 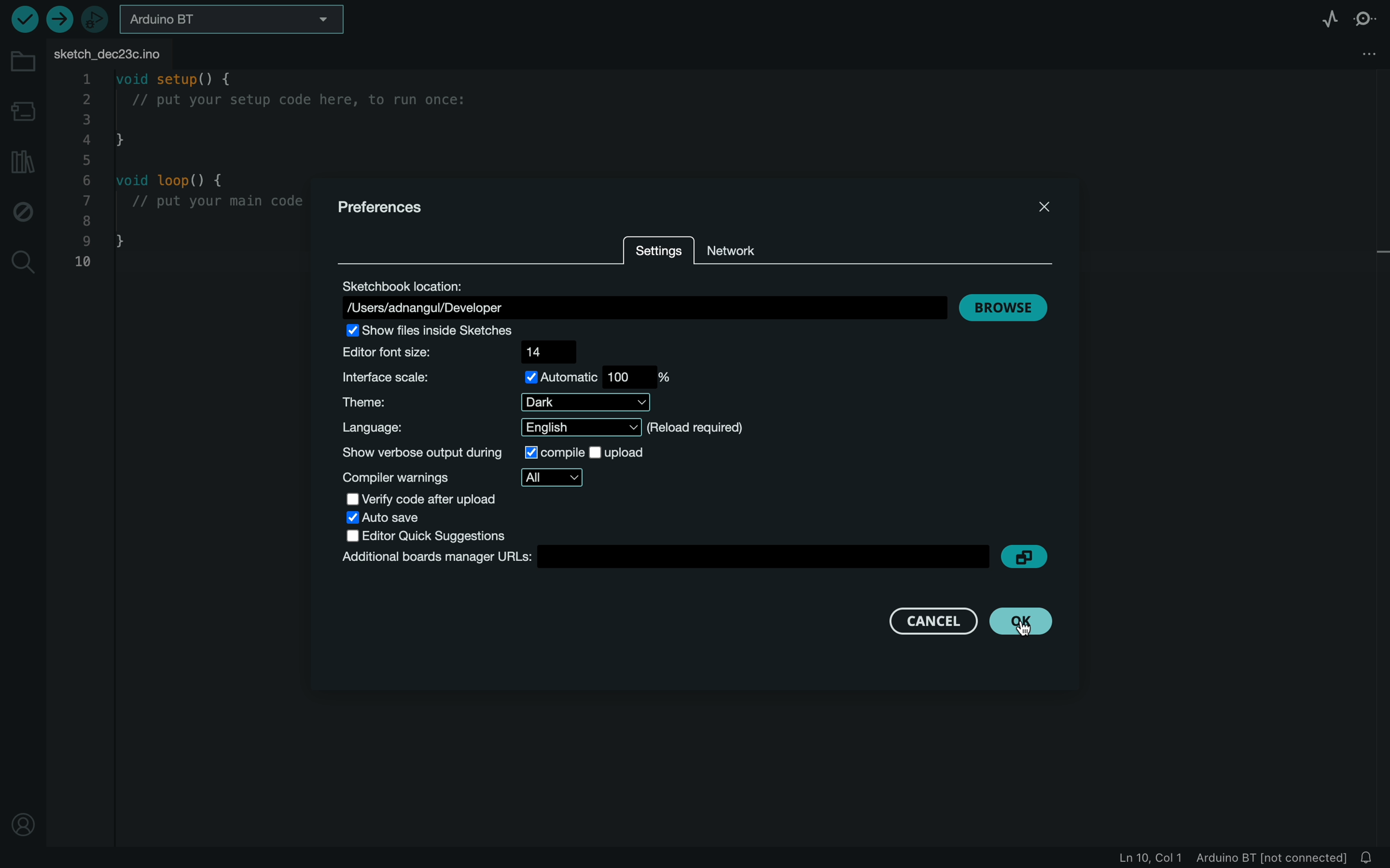 I want to click on verify code, so click(x=421, y=498).